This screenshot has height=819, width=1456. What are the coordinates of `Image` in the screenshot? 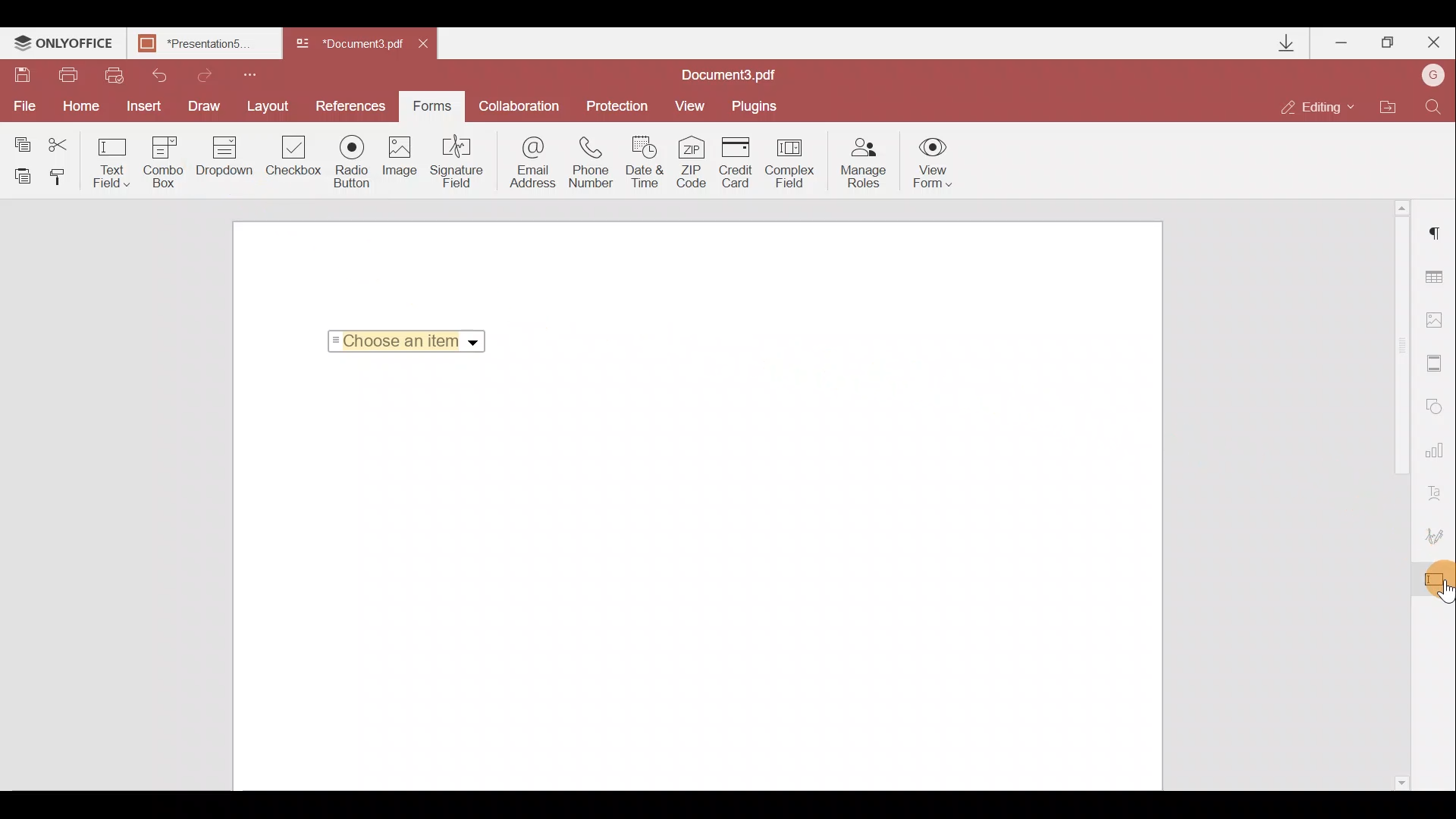 It's located at (403, 161).